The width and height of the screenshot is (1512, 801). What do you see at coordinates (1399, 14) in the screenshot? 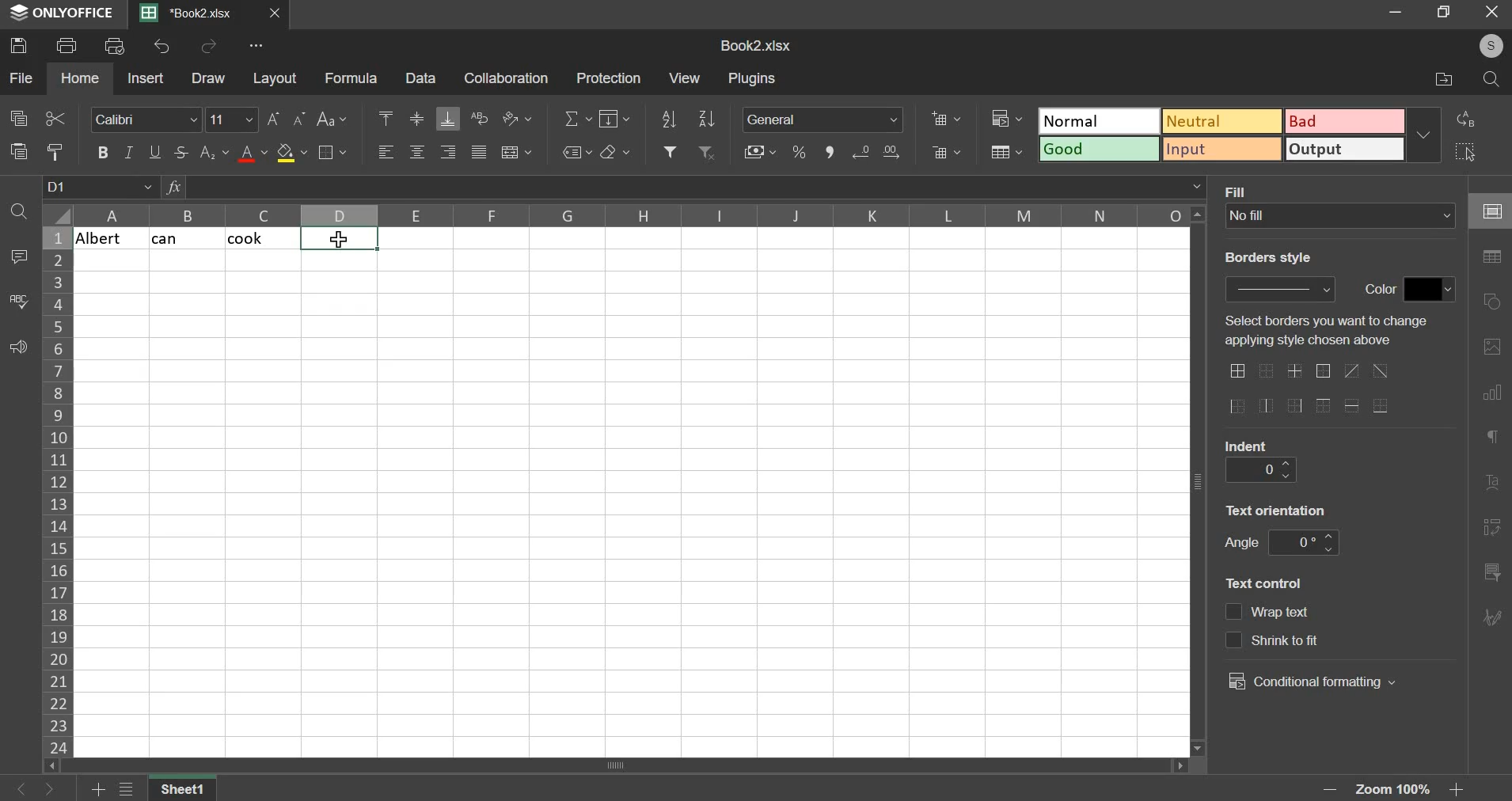
I see `minimize` at bounding box center [1399, 14].